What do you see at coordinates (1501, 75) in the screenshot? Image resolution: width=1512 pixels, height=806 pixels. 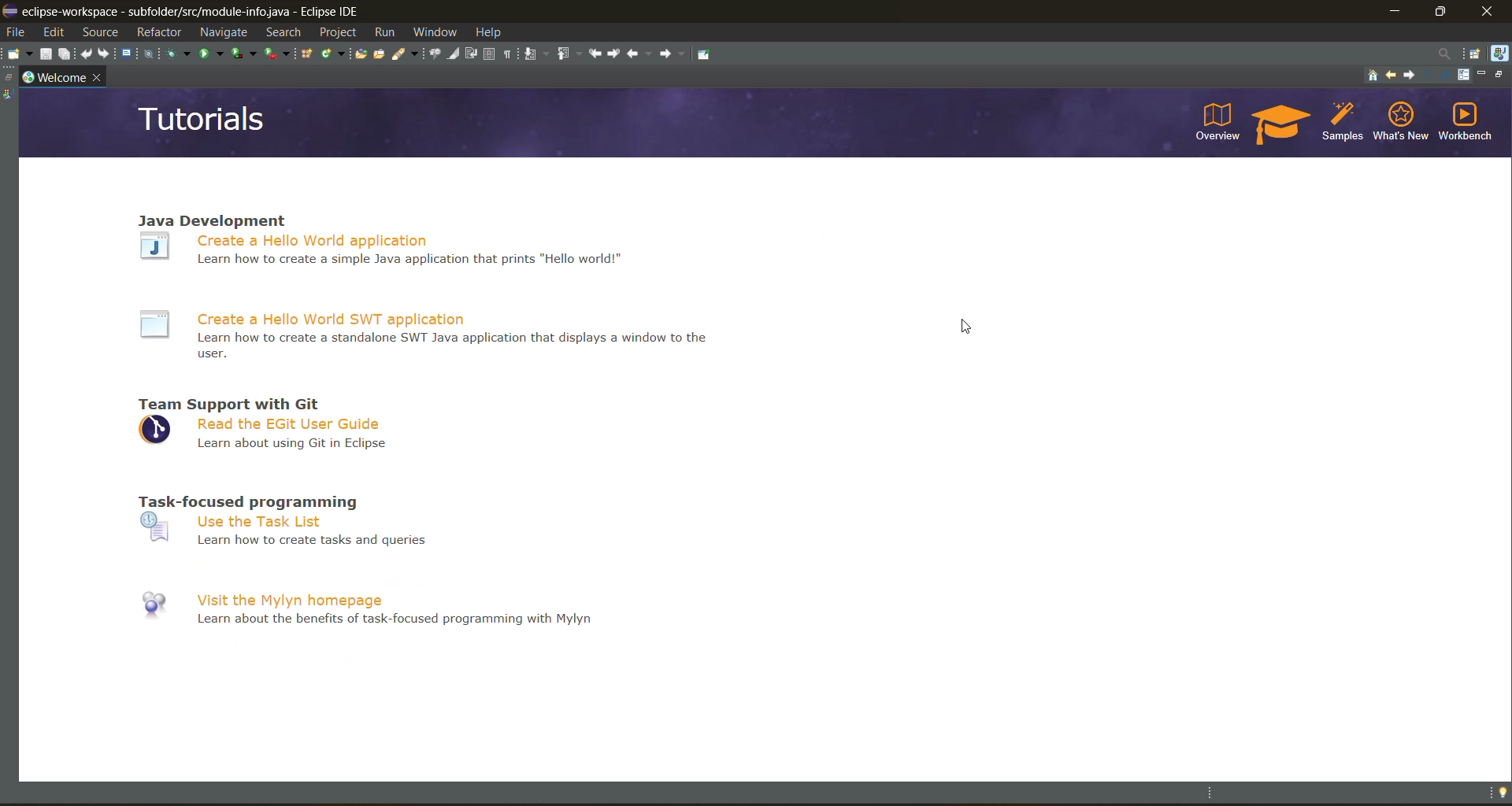 I see `restore` at bounding box center [1501, 75].